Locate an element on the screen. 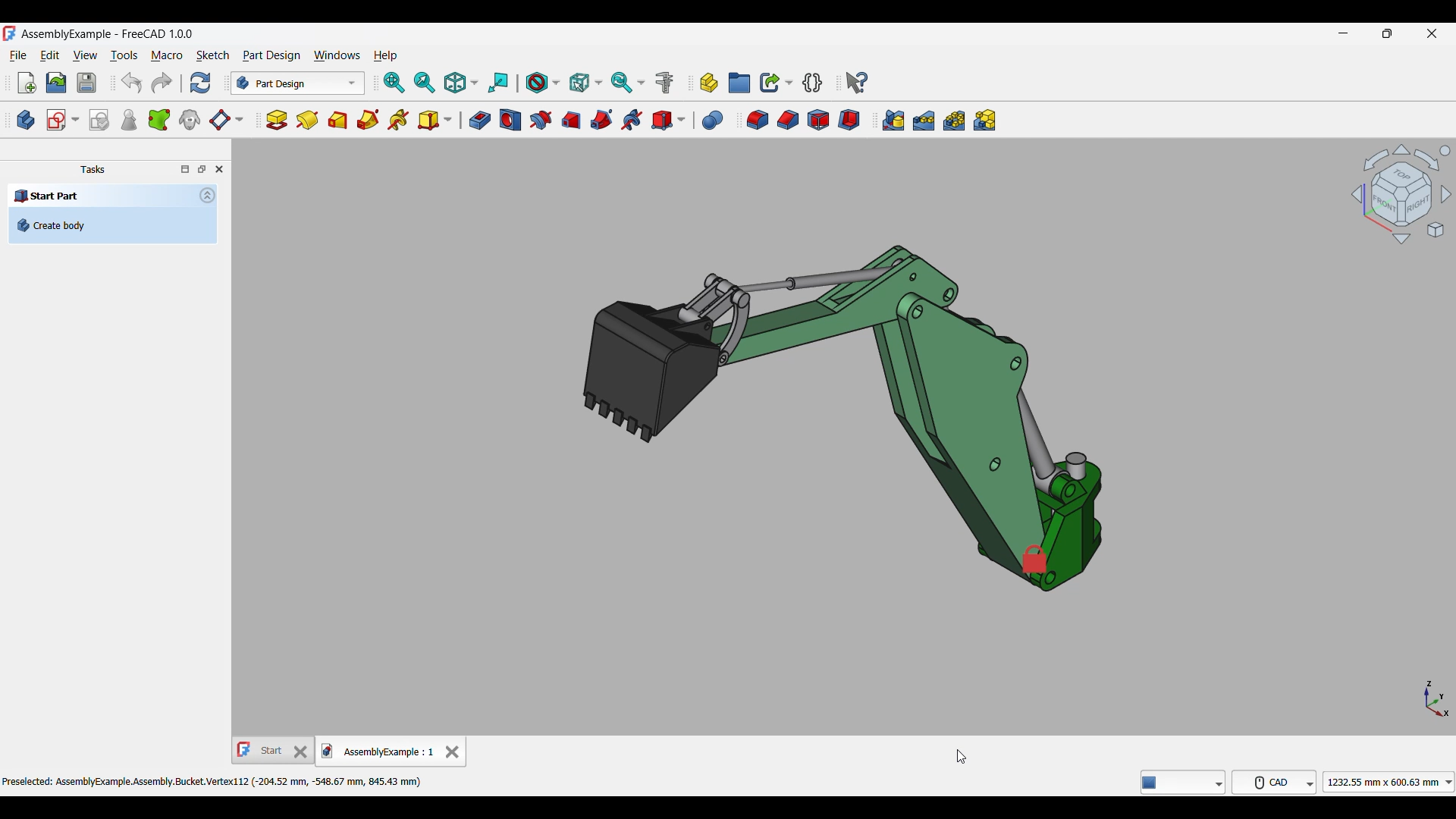 Image resolution: width=1456 pixels, height=819 pixels. Close tab is located at coordinates (452, 752).